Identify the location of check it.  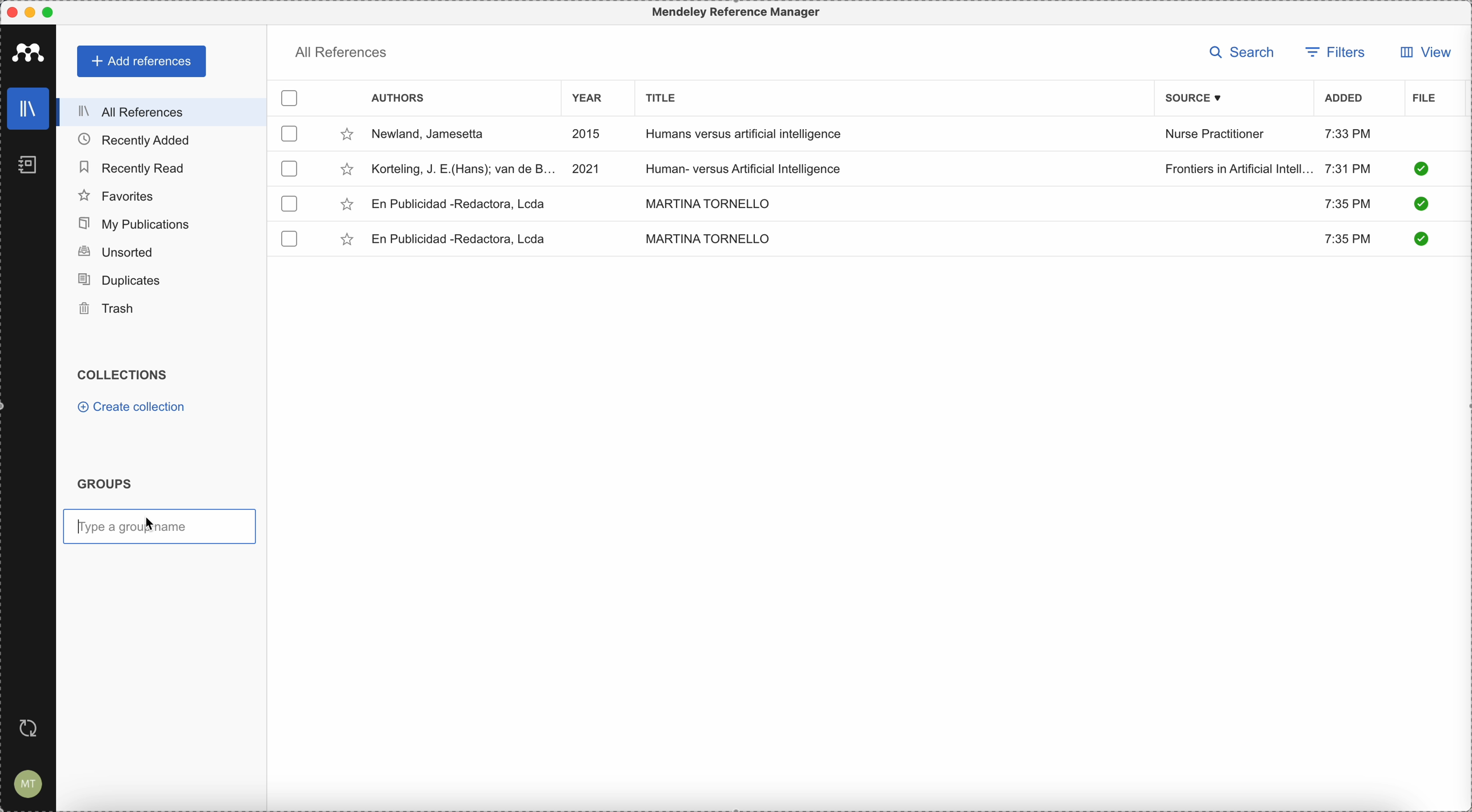
(1419, 205).